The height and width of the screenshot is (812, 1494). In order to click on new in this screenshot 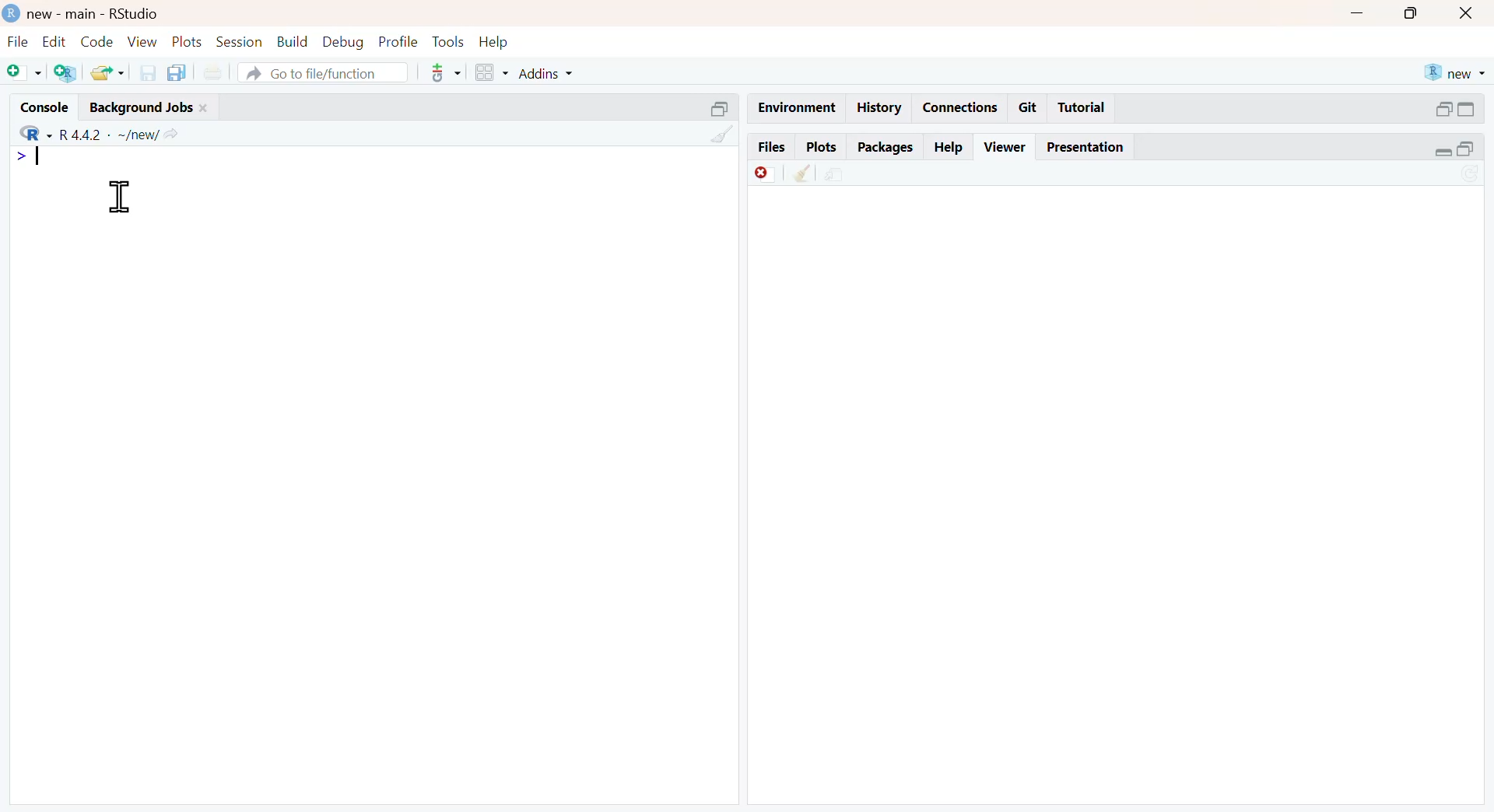, I will do `click(1456, 74)`.